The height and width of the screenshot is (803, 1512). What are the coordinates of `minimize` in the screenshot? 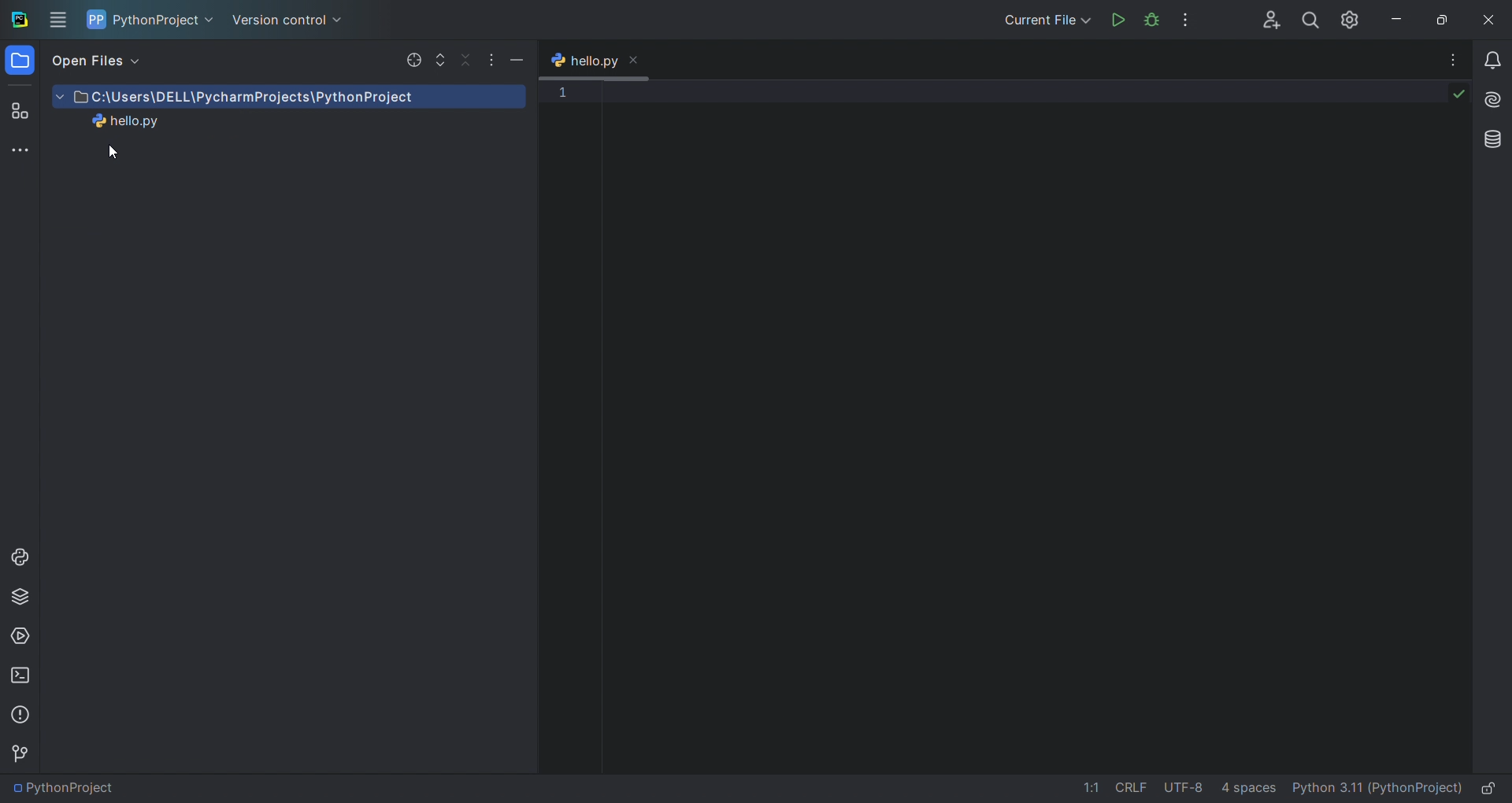 It's located at (519, 58).